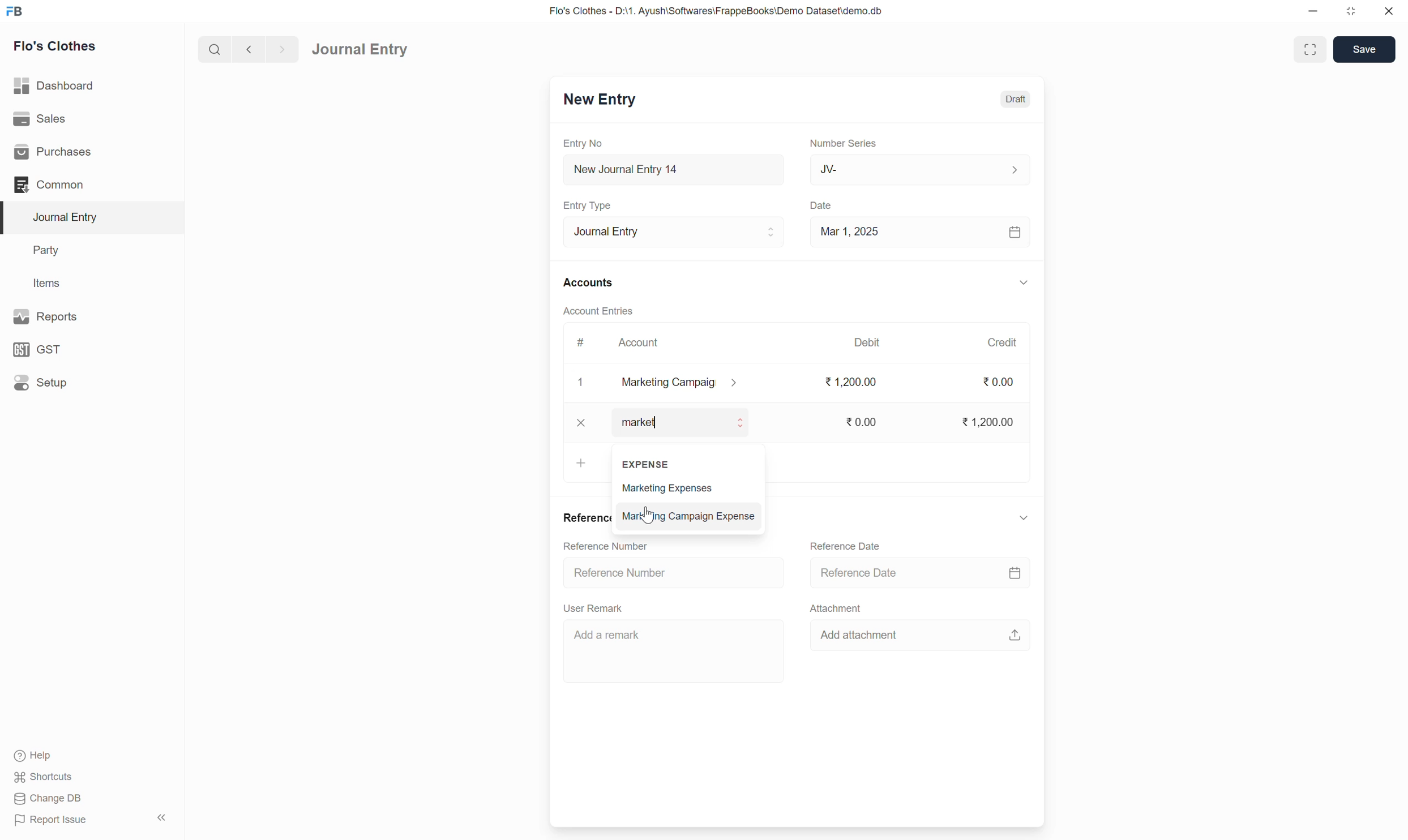 The width and height of the screenshot is (1408, 840). Describe the element at coordinates (41, 382) in the screenshot. I see `Setup` at that location.